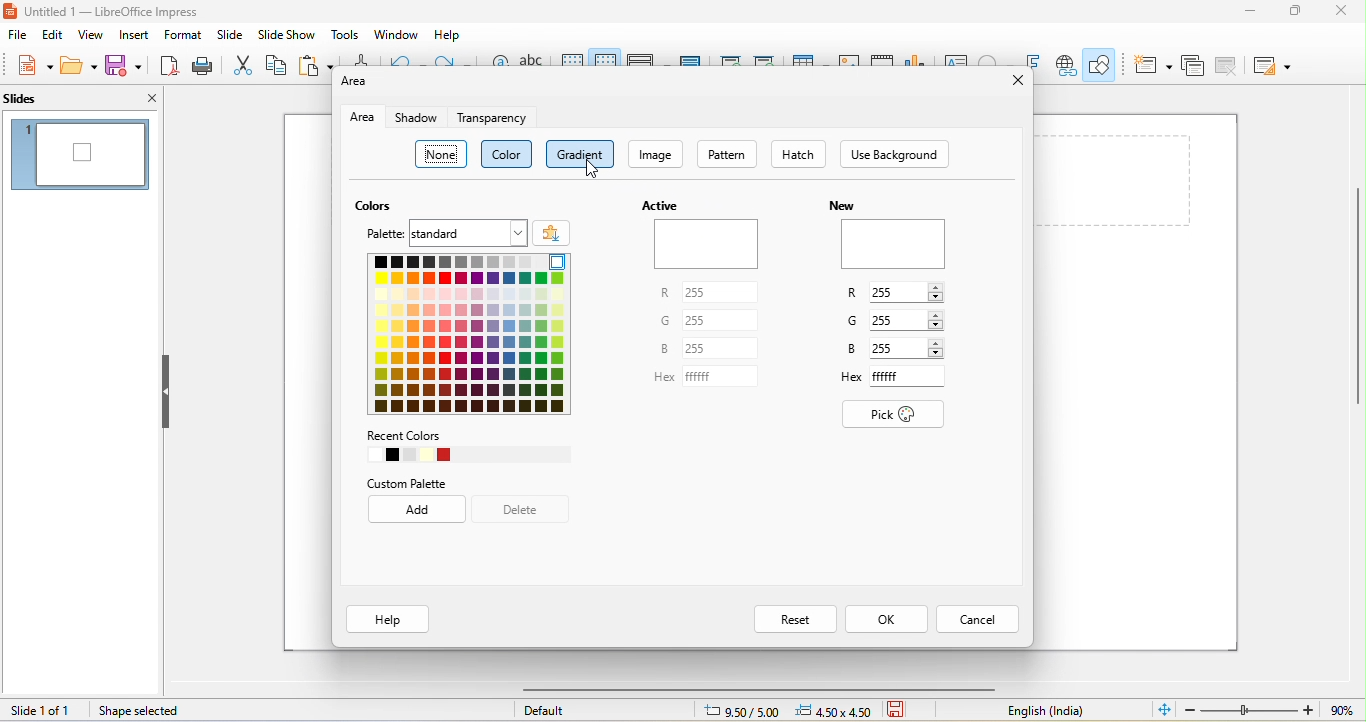 This screenshot has width=1366, height=722. What do you see at coordinates (143, 712) in the screenshot?
I see `shape selected` at bounding box center [143, 712].